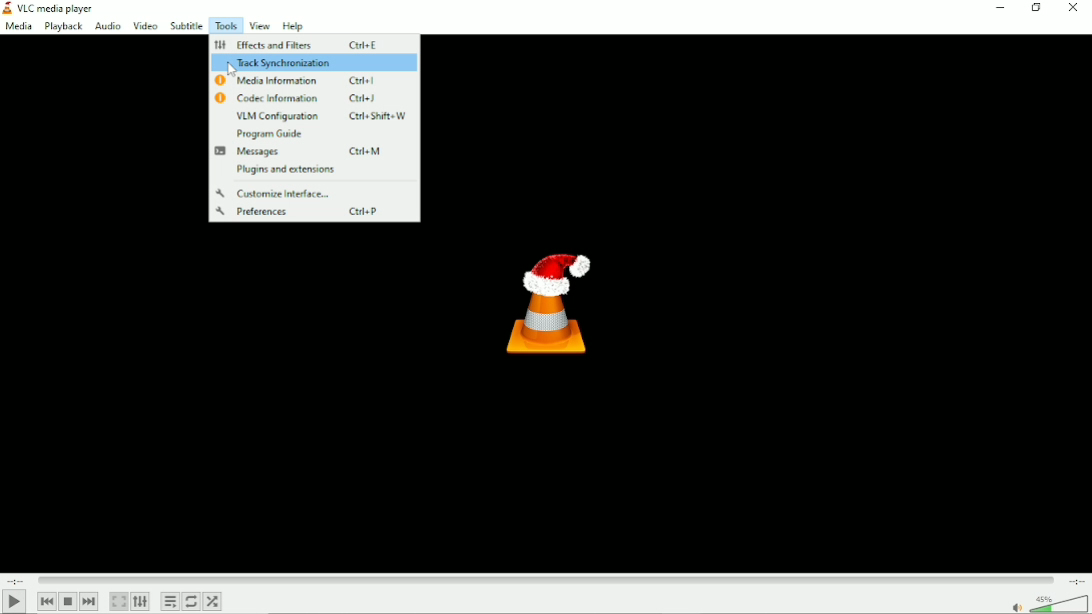 This screenshot has height=614, width=1092. I want to click on Toggle video in fullscreen, so click(119, 601).